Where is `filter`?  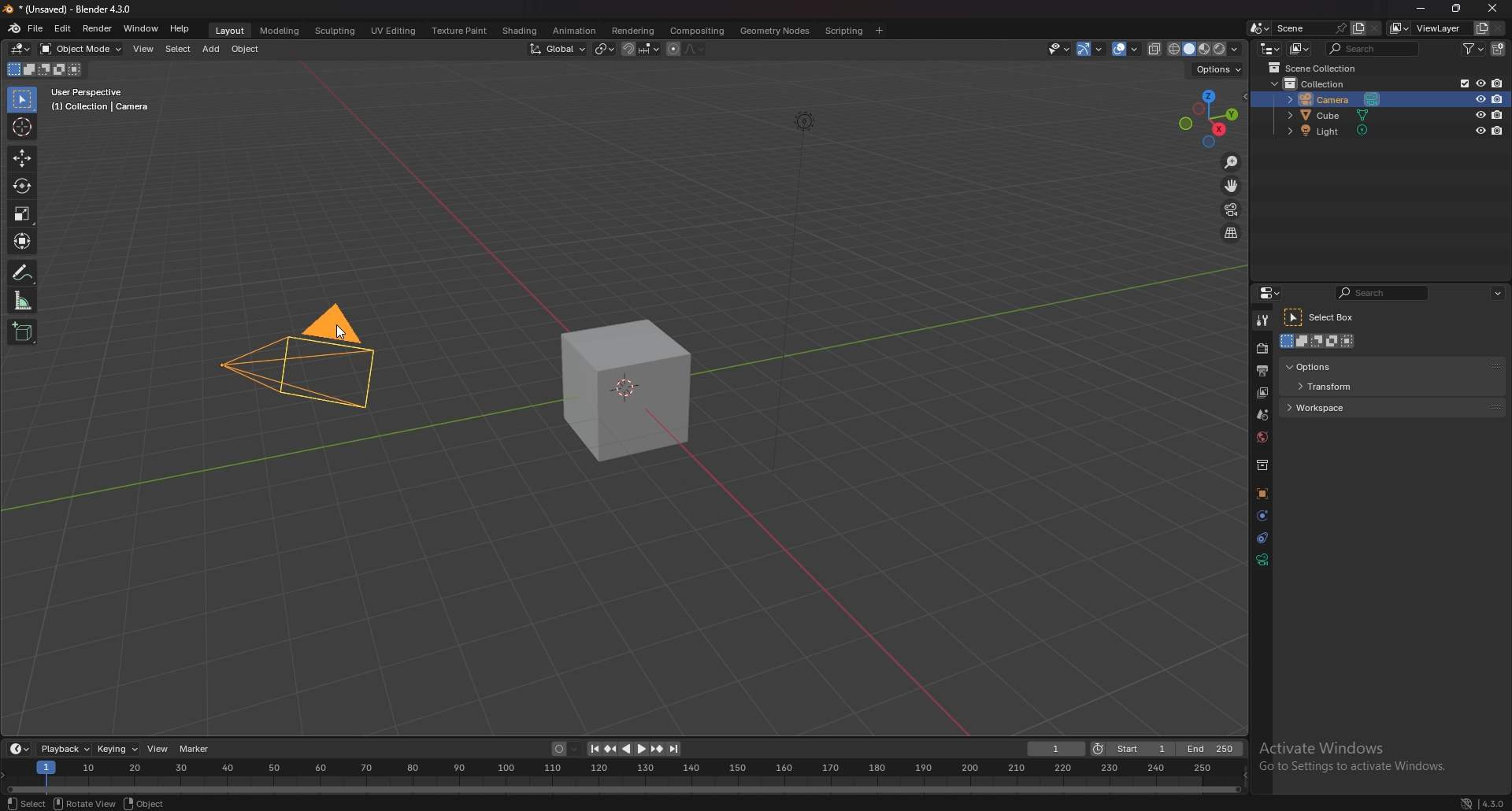
filter is located at coordinates (1474, 50).